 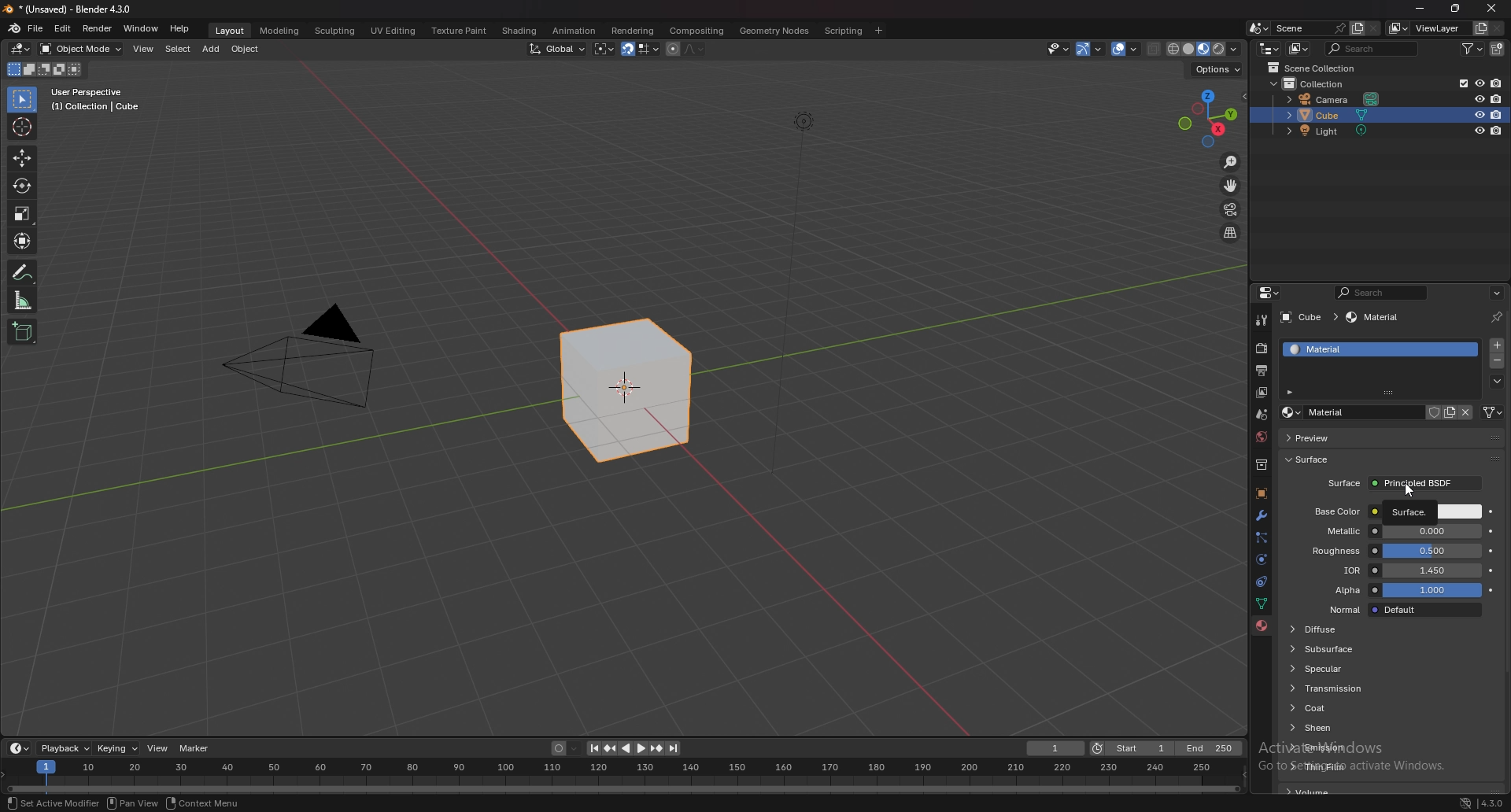 I want to click on add, so click(x=212, y=49).